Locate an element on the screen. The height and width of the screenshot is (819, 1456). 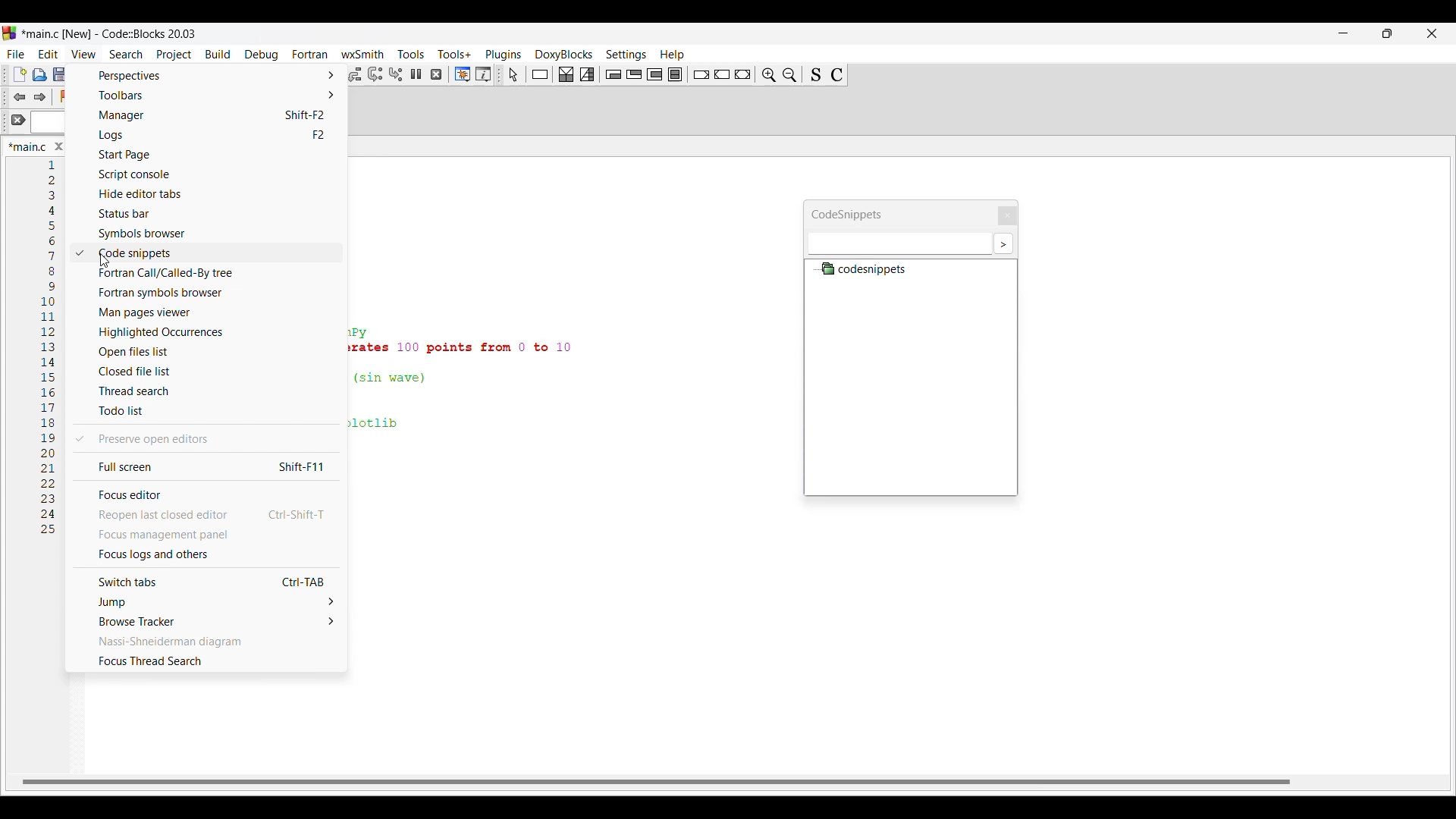
Panel title is located at coordinates (852, 211).